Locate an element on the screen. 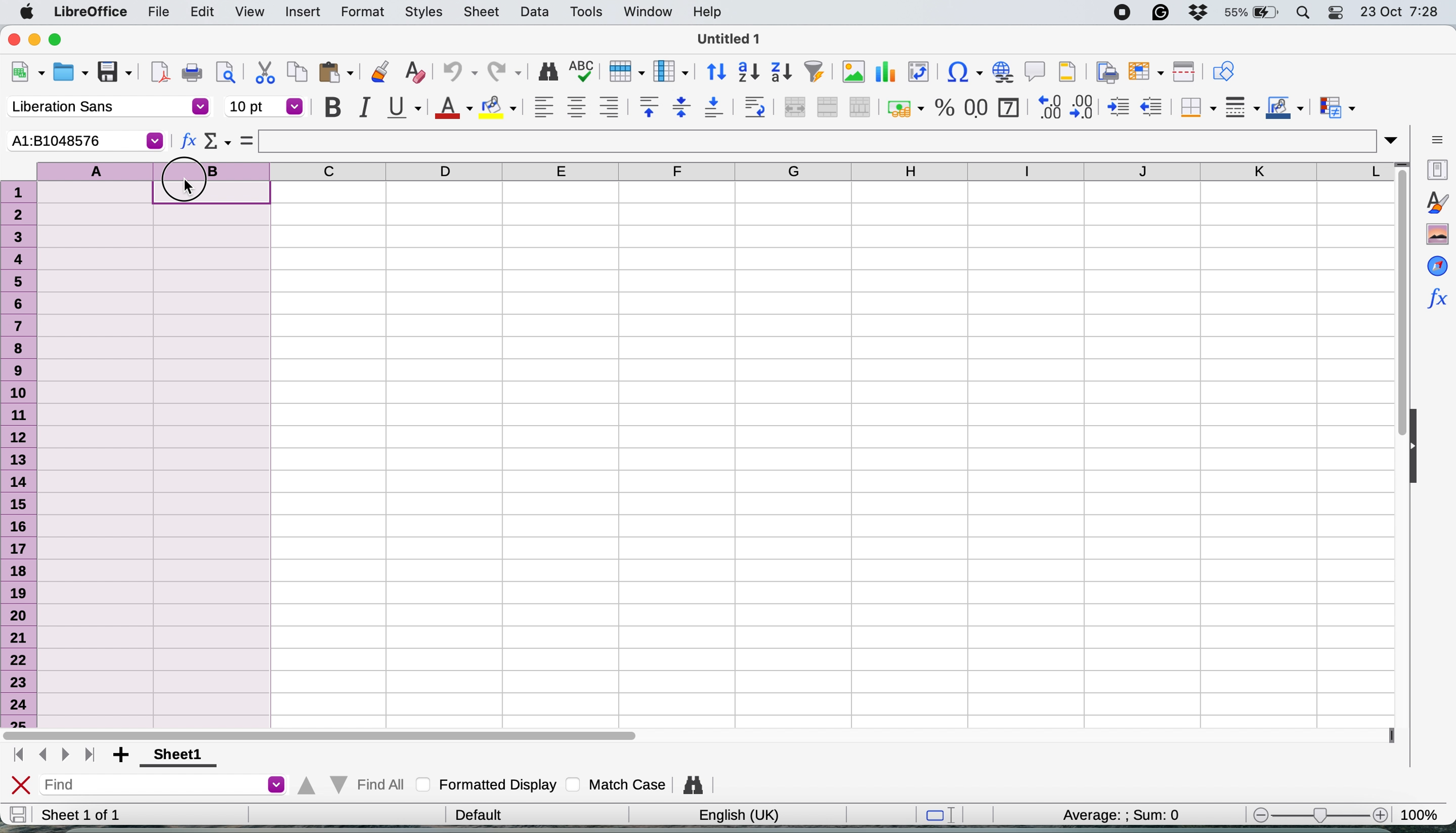 This screenshot has height=833, width=1456. redo is located at coordinates (505, 71).